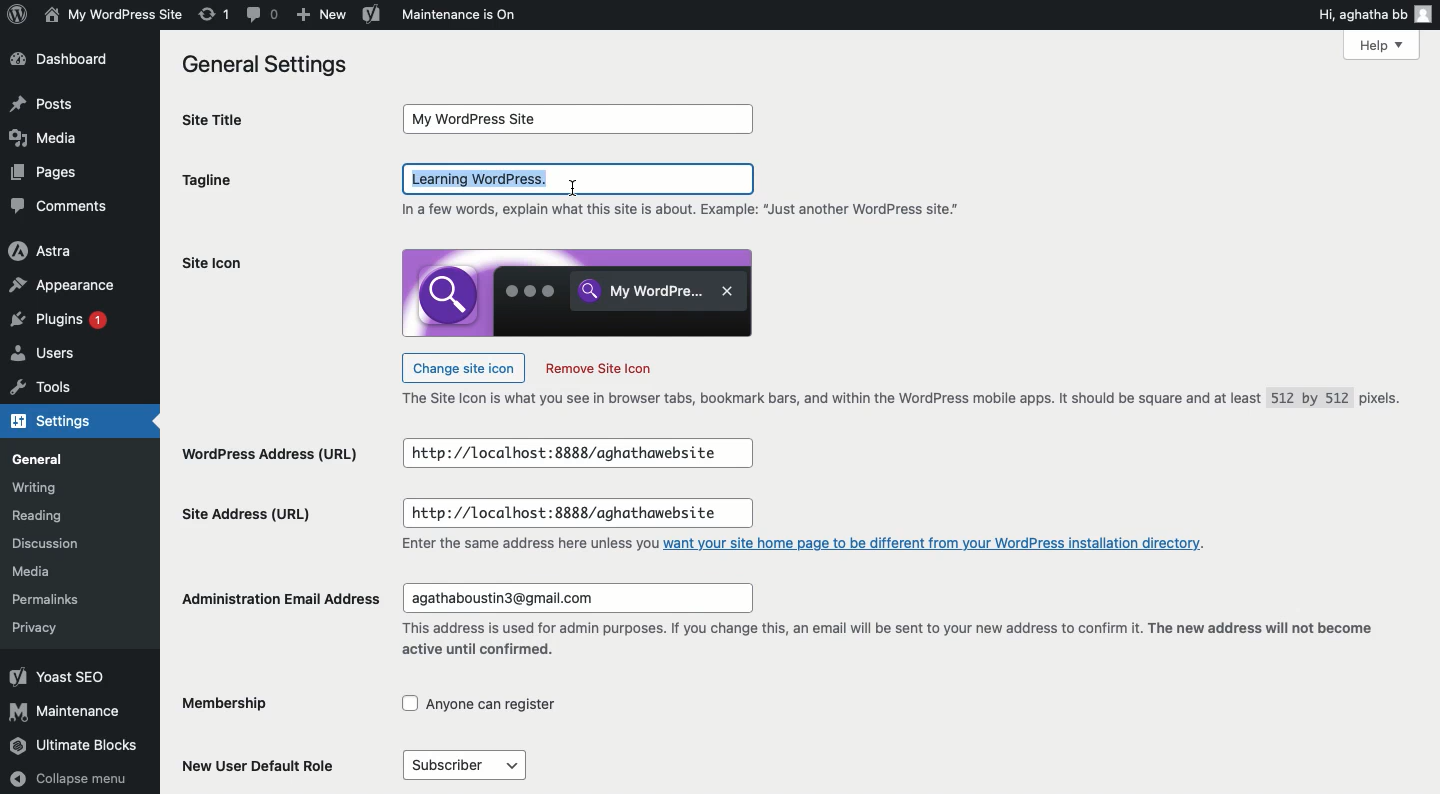 This screenshot has width=1440, height=794. I want to click on menu, so click(463, 765).